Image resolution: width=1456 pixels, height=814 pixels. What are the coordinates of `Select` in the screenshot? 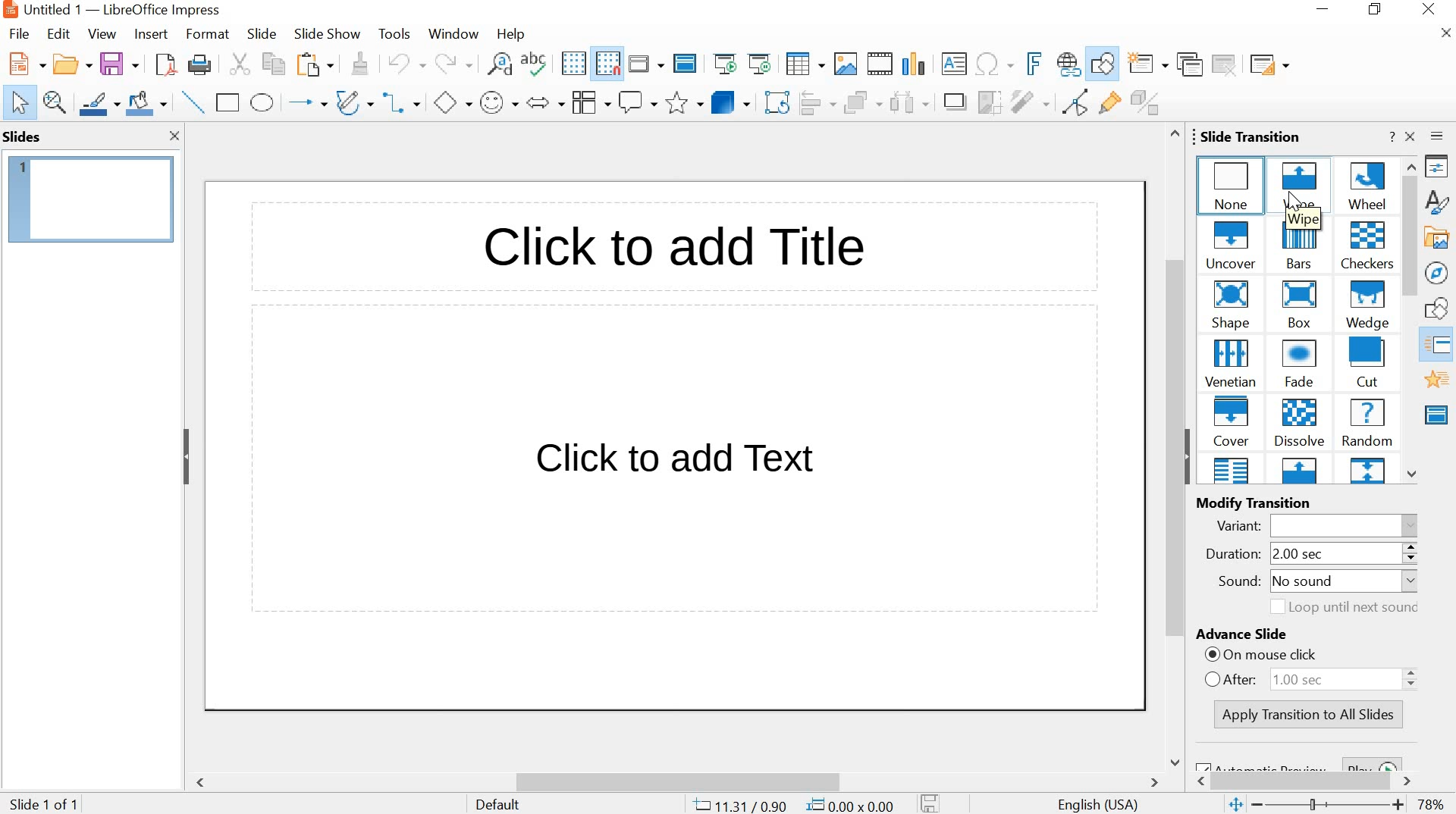 It's located at (15, 103).